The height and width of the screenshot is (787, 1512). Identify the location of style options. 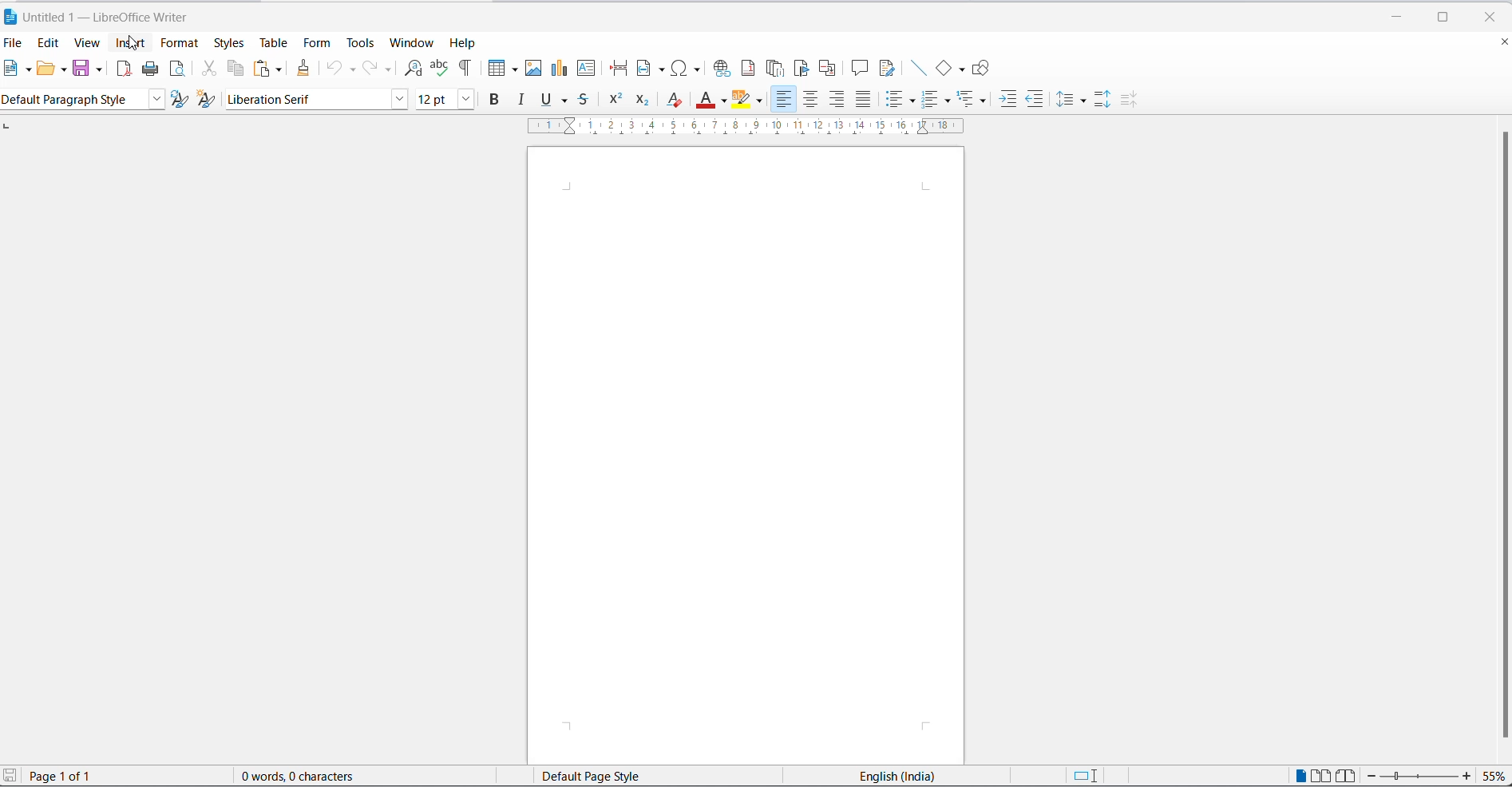
(160, 100).